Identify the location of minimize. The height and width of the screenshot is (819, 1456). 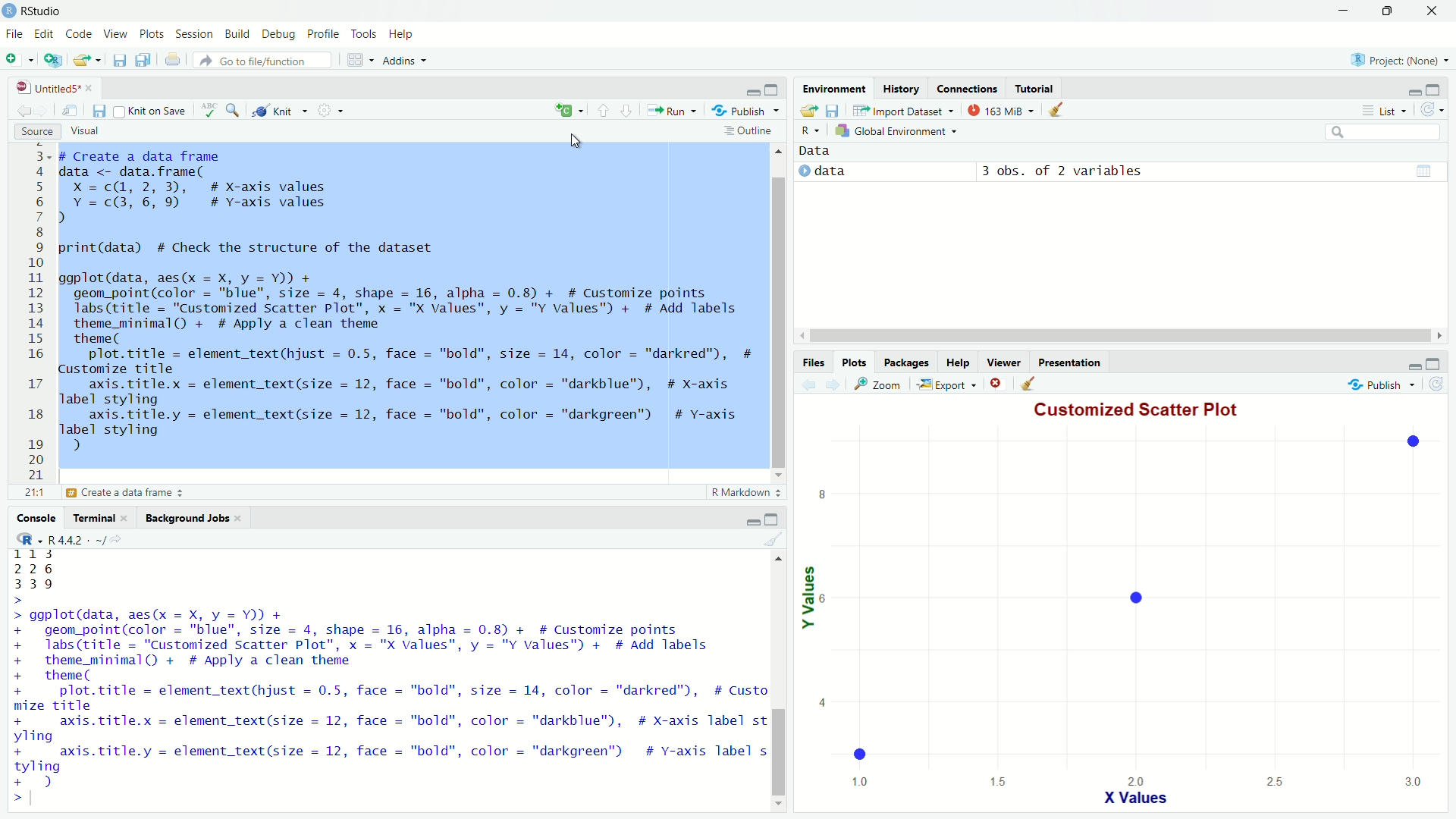
(752, 93).